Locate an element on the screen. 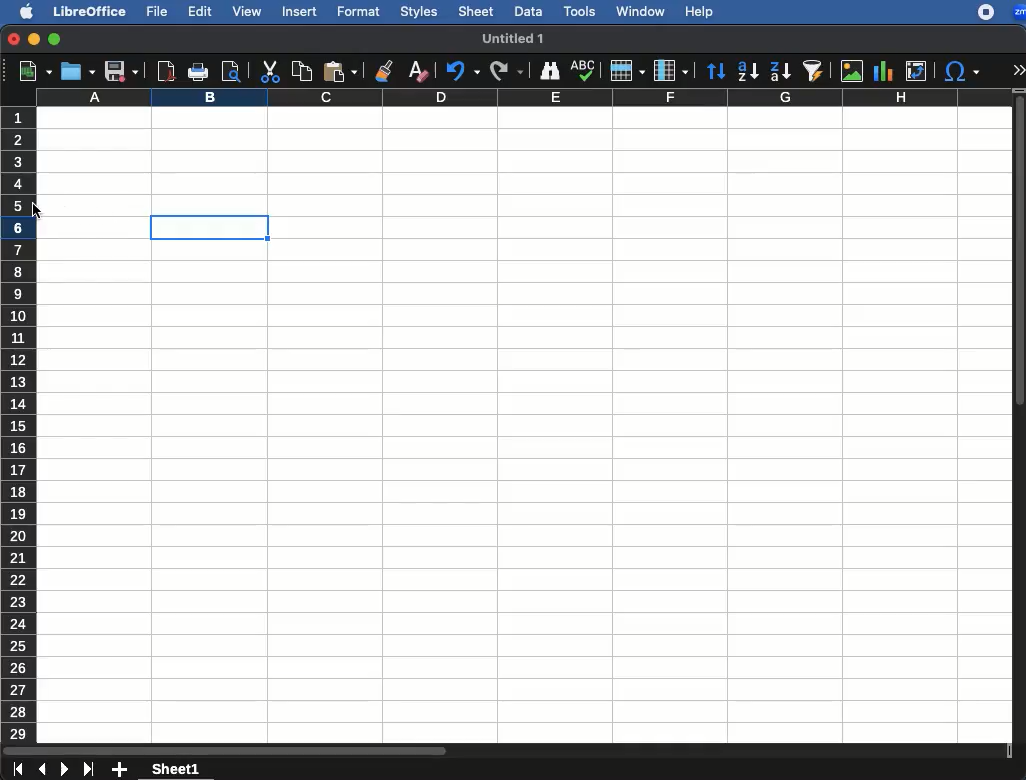 This screenshot has height=780, width=1026. window is located at coordinates (641, 10).